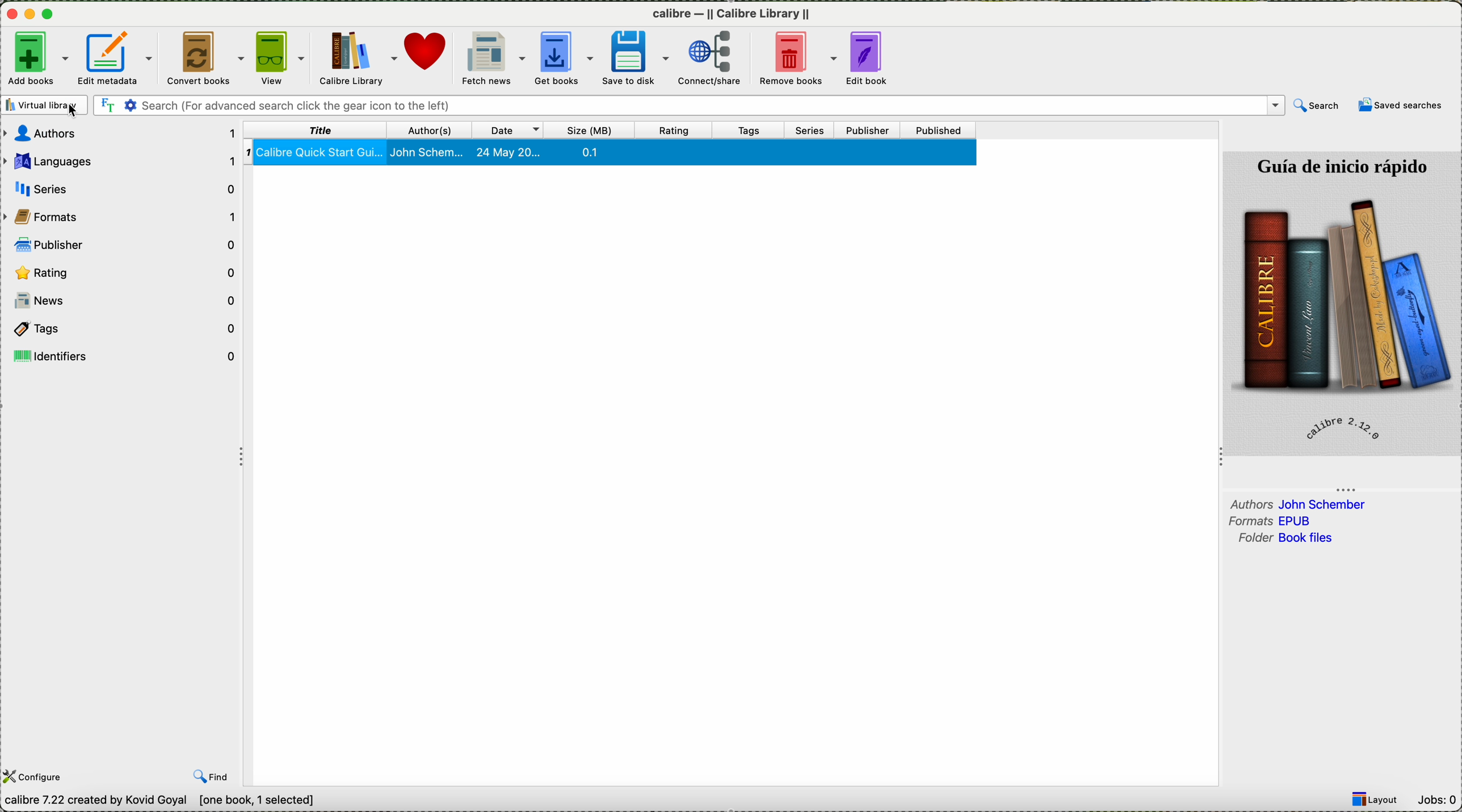  I want to click on folder , so click(1283, 538).